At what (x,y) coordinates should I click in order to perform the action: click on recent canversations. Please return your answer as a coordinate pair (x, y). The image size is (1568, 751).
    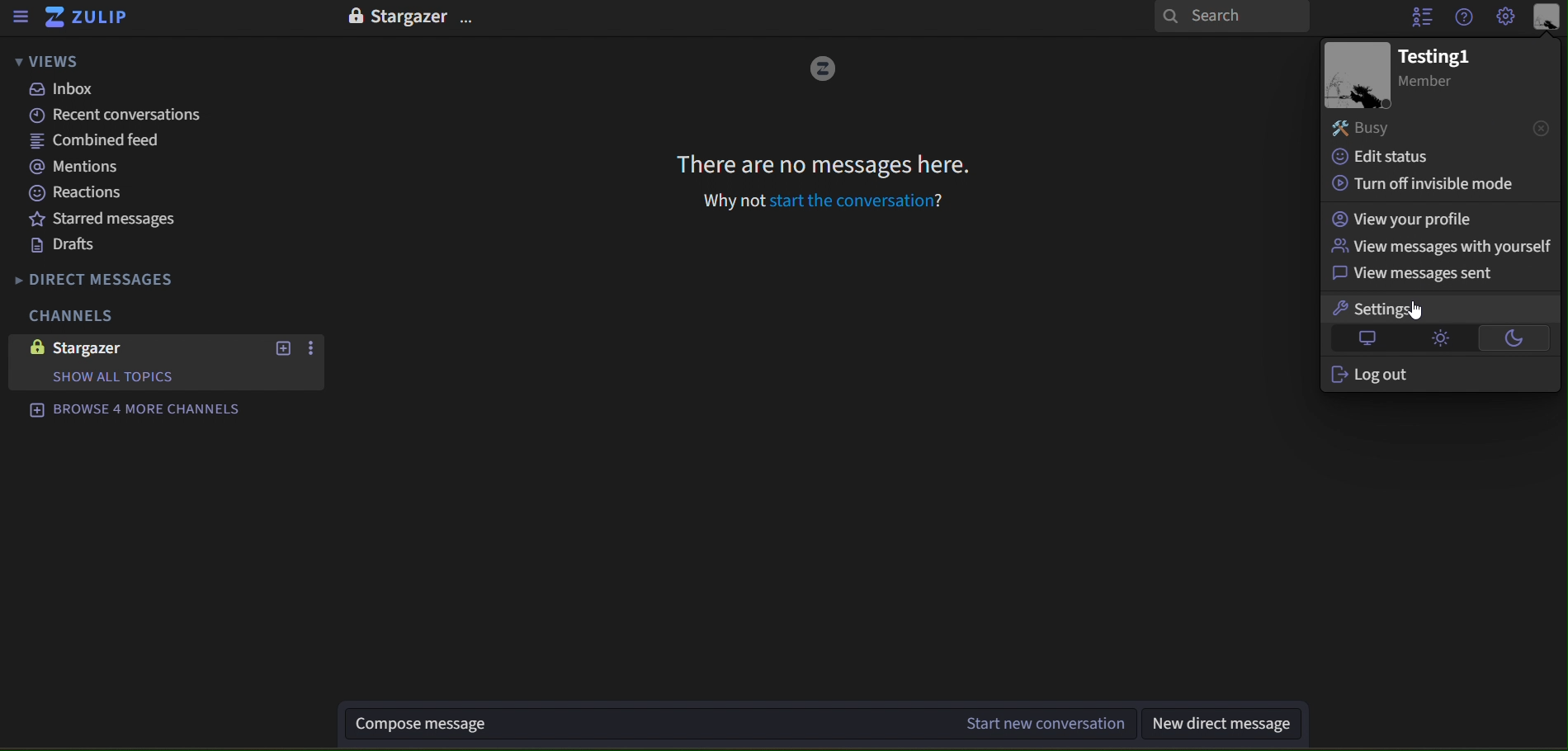
    Looking at the image, I should click on (106, 116).